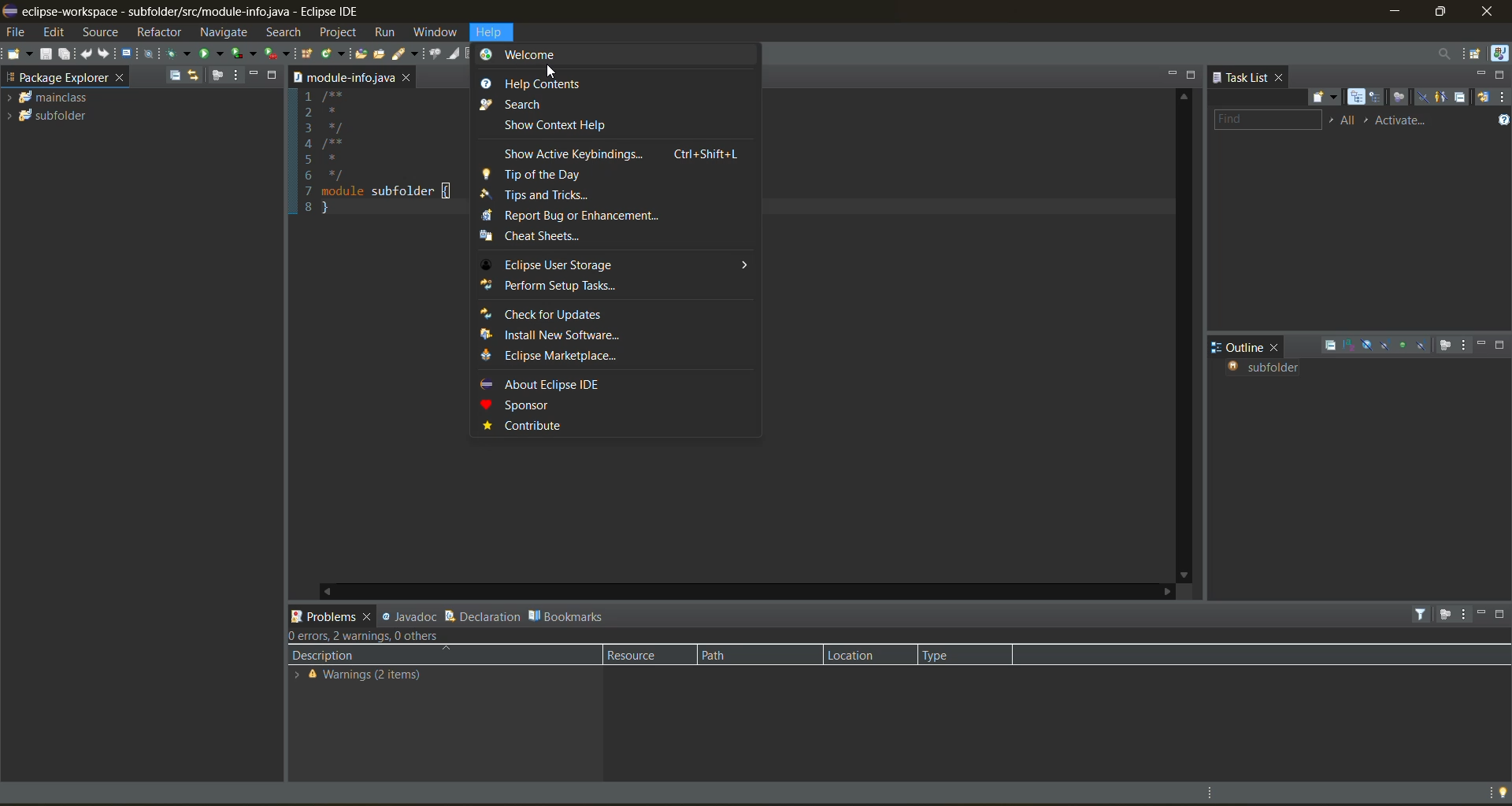 This screenshot has width=1512, height=806. What do you see at coordinates (47, 54) in the screenshot?
I see `save` at bounding box center [47, 54].